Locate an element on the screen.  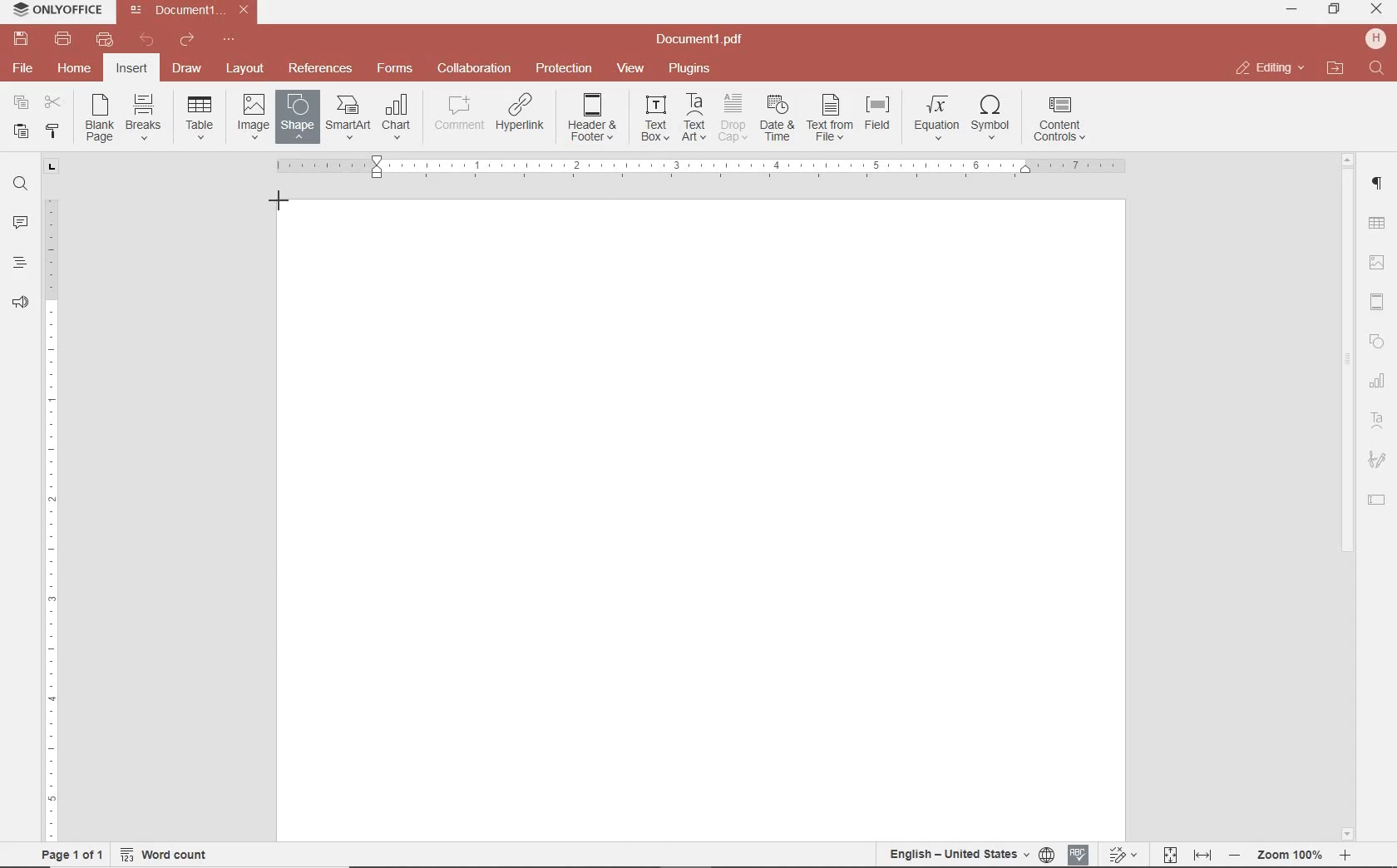
minimize is located at coordinates (1293, 9).